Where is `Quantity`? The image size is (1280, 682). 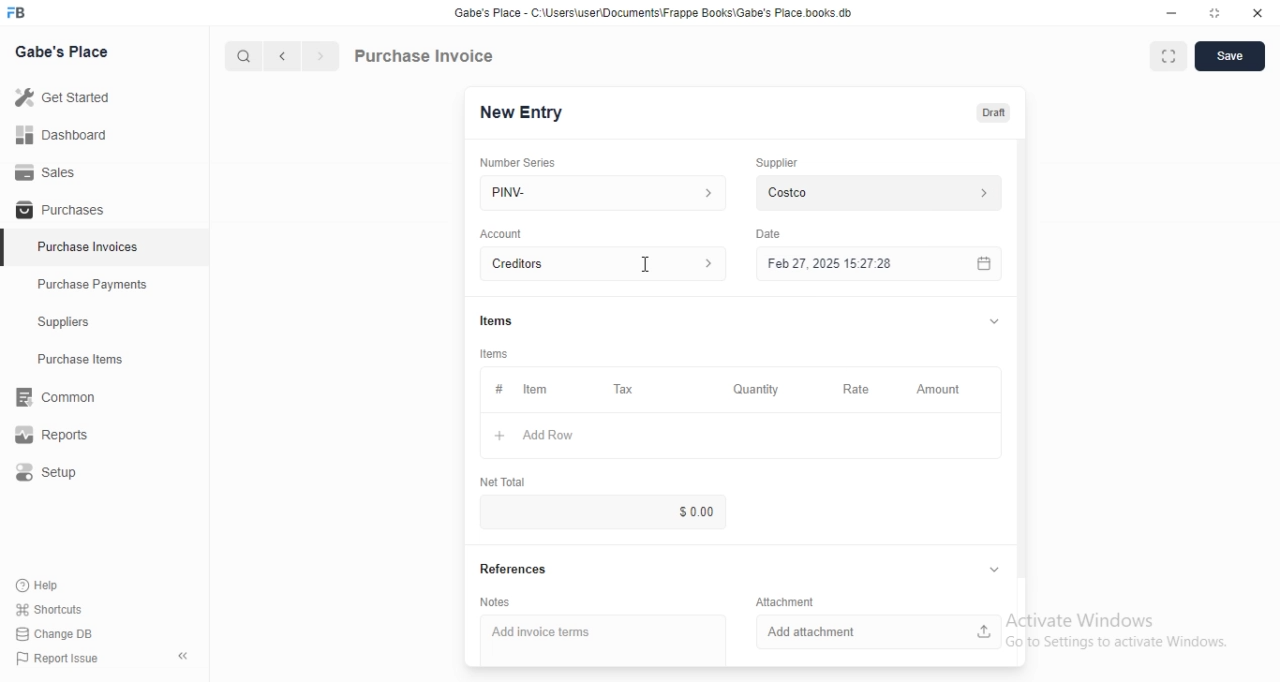 Quantity is located at coordinates (757, 389).